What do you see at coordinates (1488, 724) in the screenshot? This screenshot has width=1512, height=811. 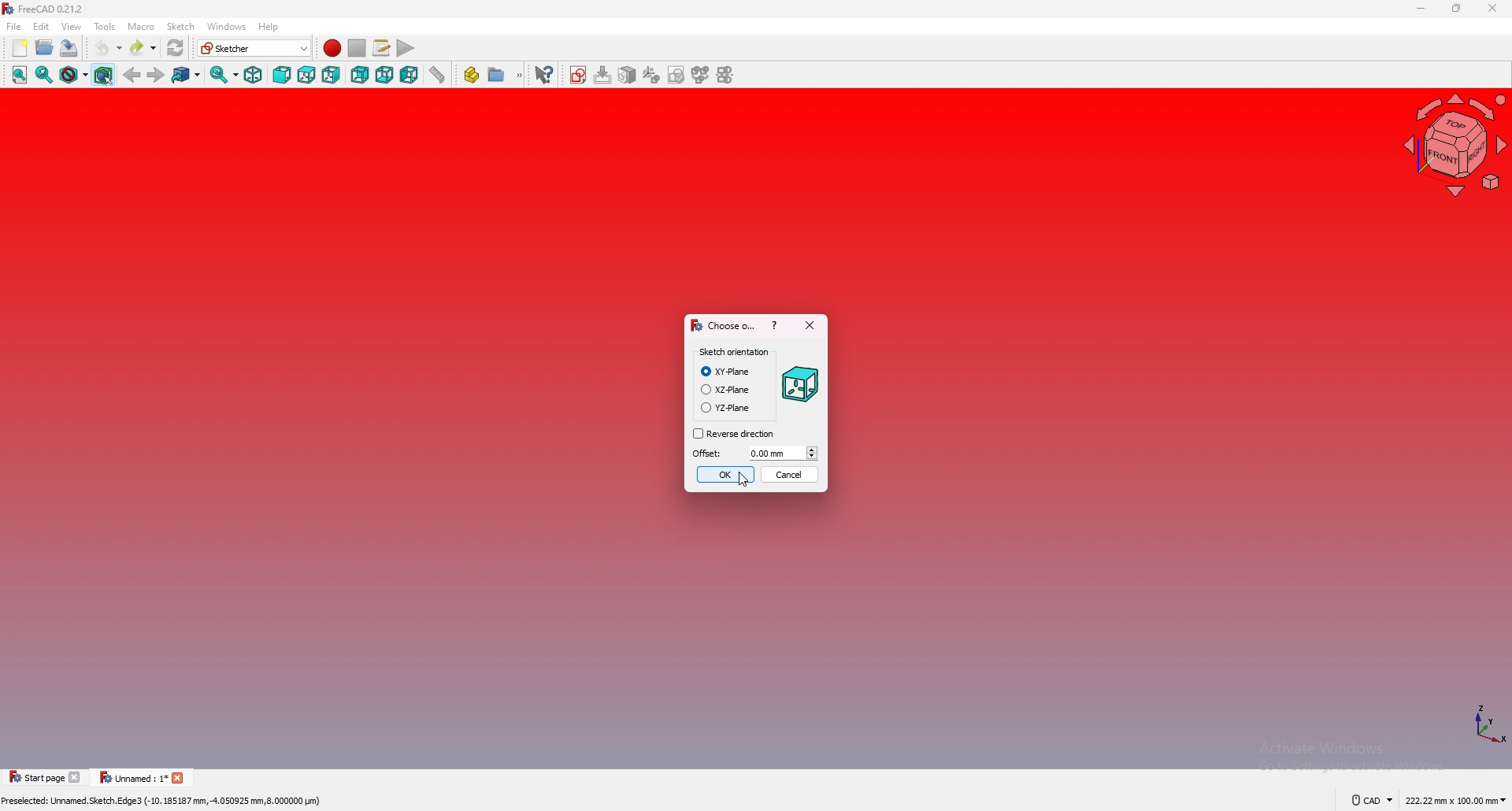 I see `axis` at bounding box center [1488, 724].